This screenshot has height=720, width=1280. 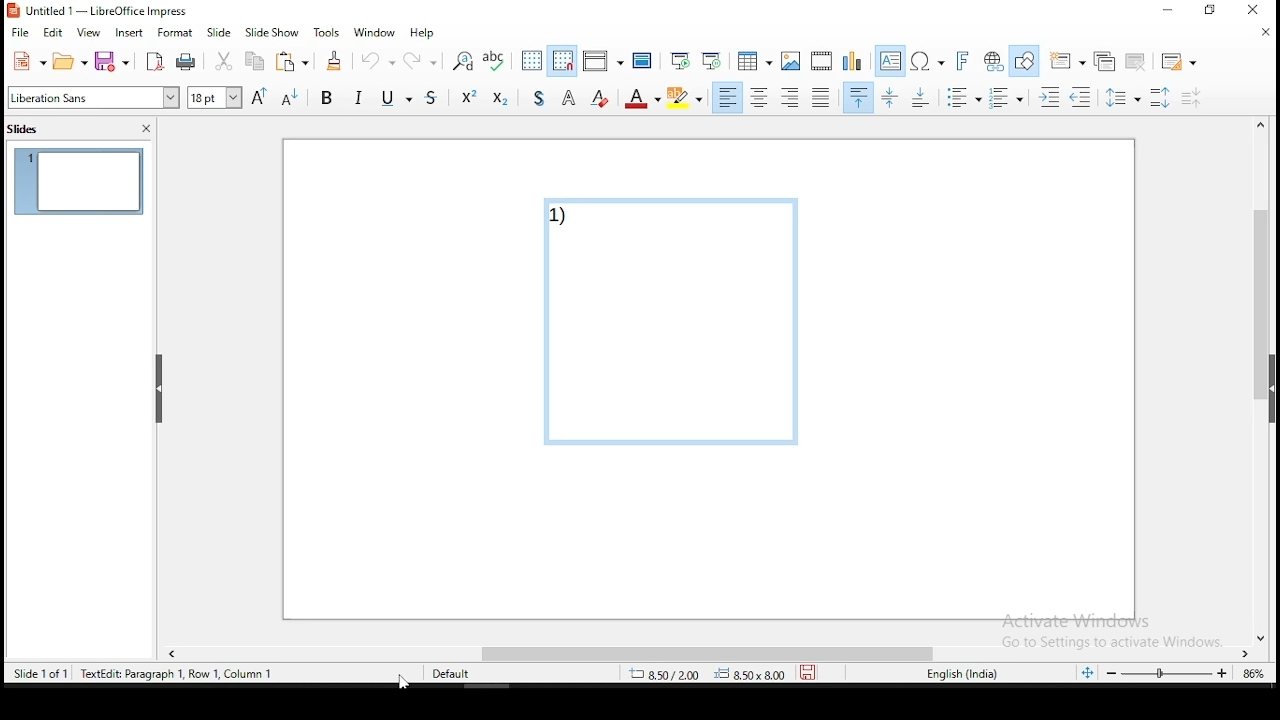 What do you see at coordinates (1087, 672) in the screenshot?
I see `fit slide to current window` at bounding box center [1087, 672].